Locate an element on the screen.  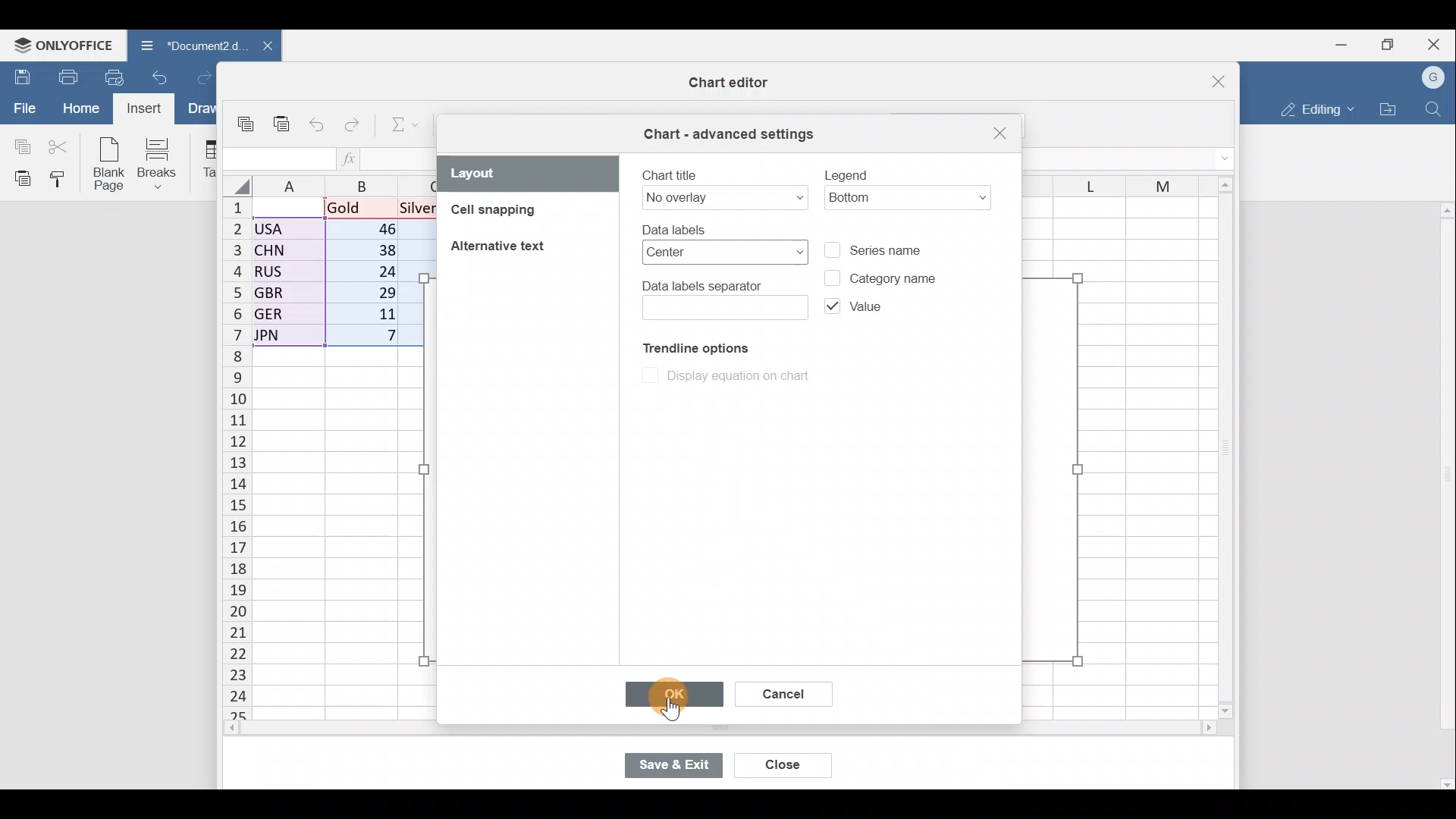
Home is located at coordinates (80, 108).